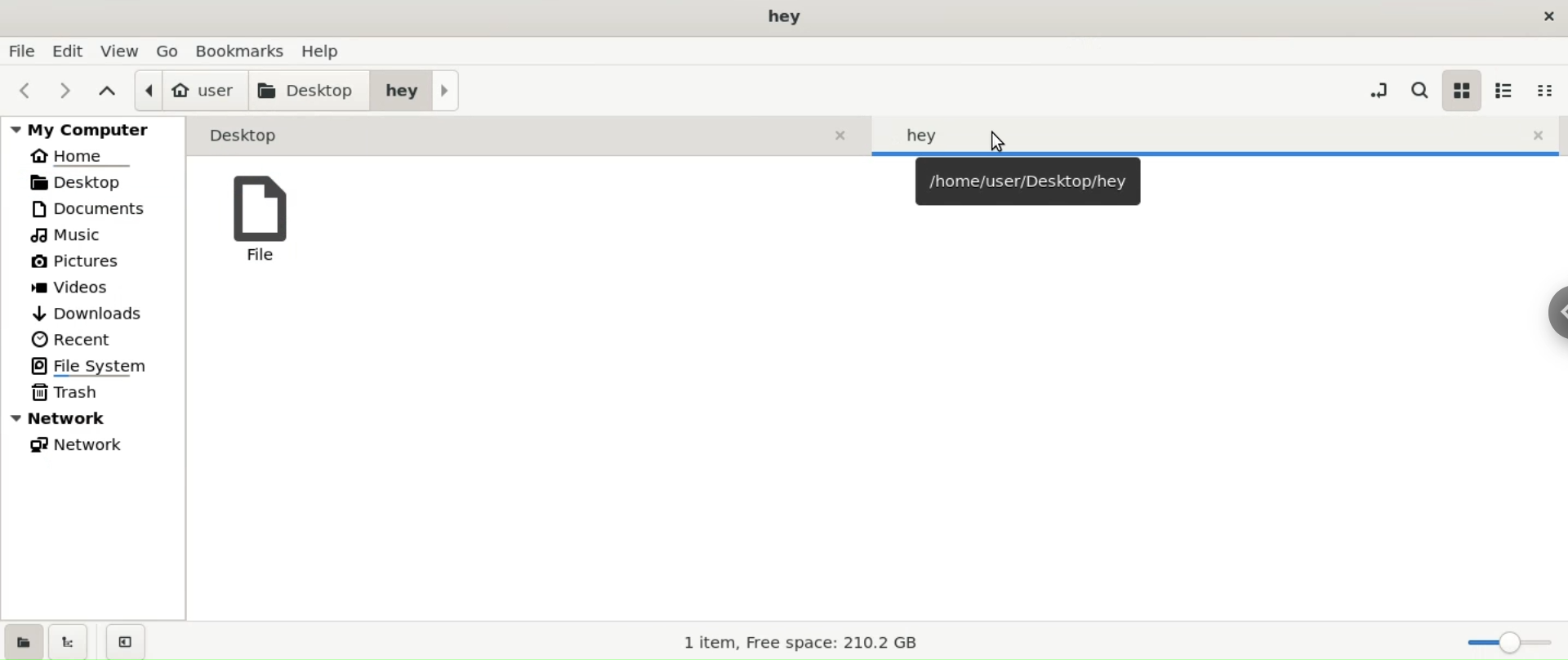 This screenshot has height=660, width=1568. What do you see at coordinates (1419, 91) in the screenshot?
I see `search` at bounding box center [1419, 91].